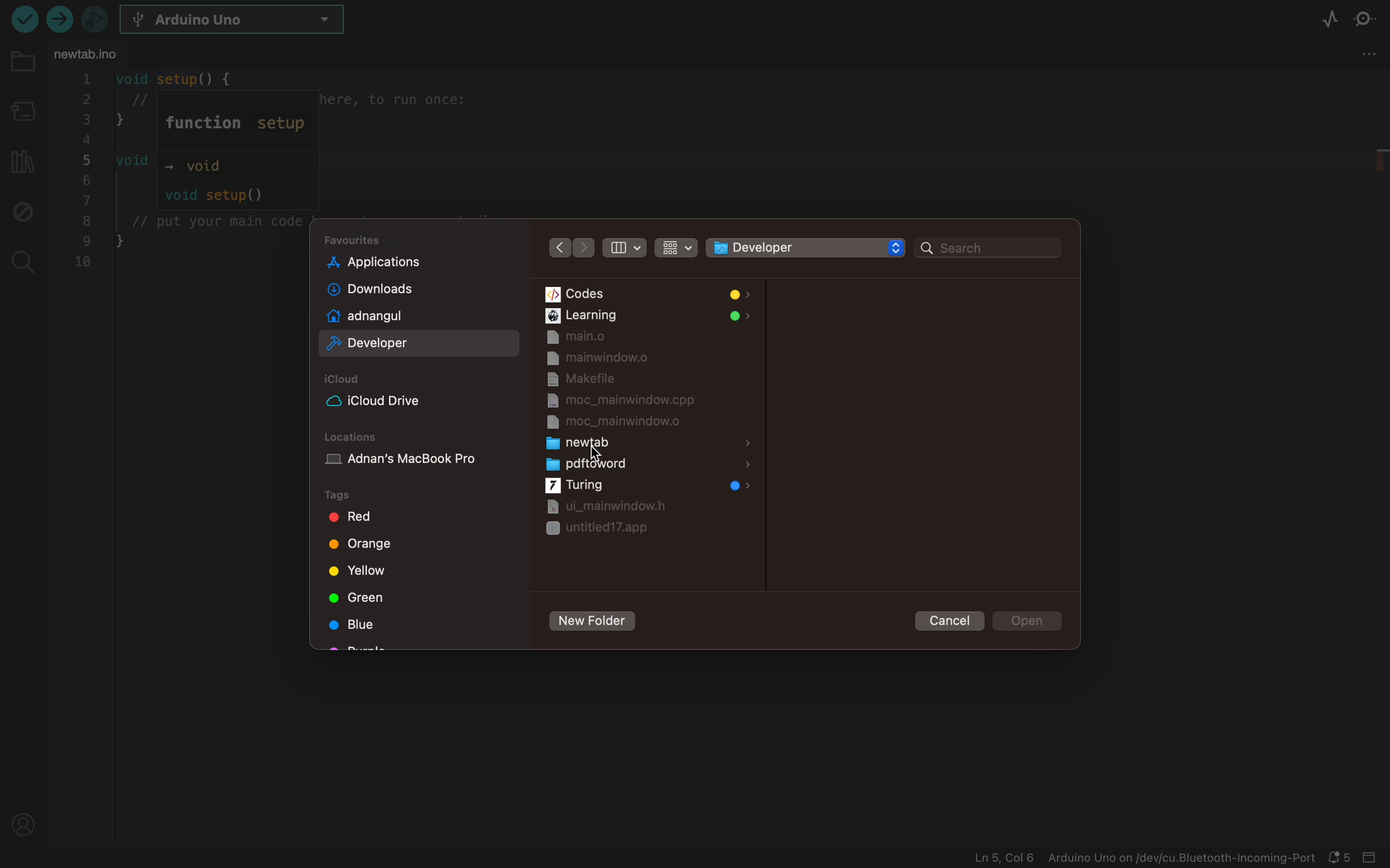  I want to click on new tab, so click(649, 443).